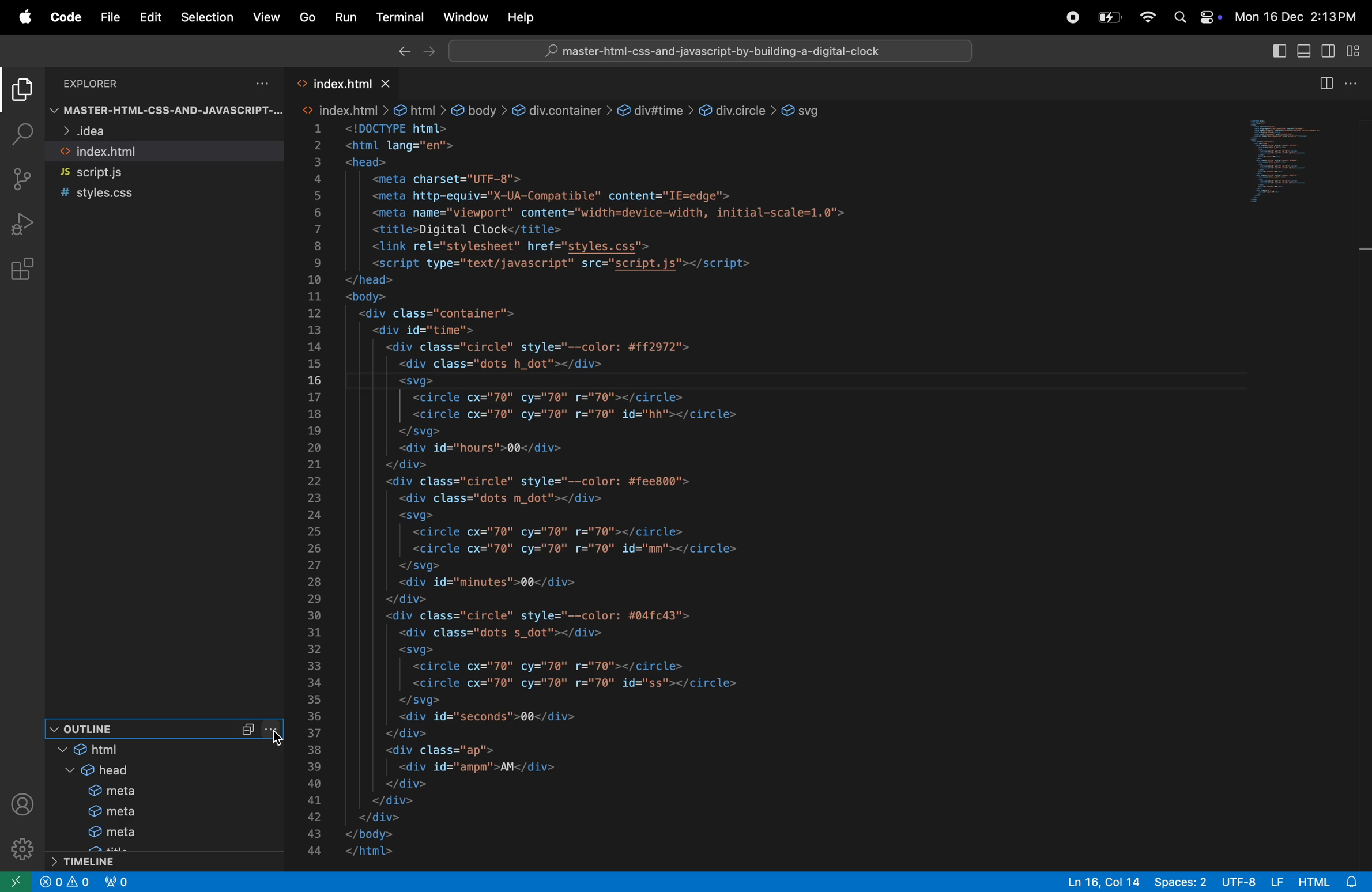  I want to click on extensions, so click(25, 267).